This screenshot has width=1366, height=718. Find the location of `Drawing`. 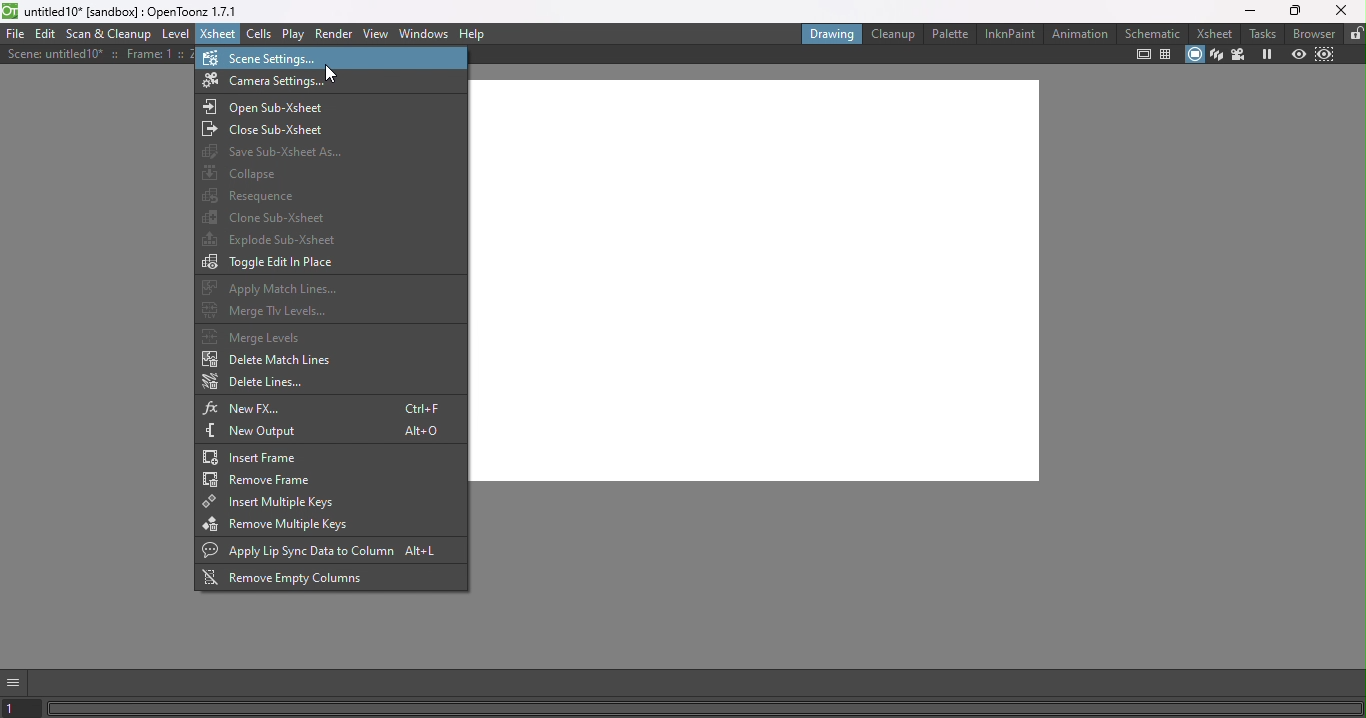

Drawing is located at coordinates (830, 33).